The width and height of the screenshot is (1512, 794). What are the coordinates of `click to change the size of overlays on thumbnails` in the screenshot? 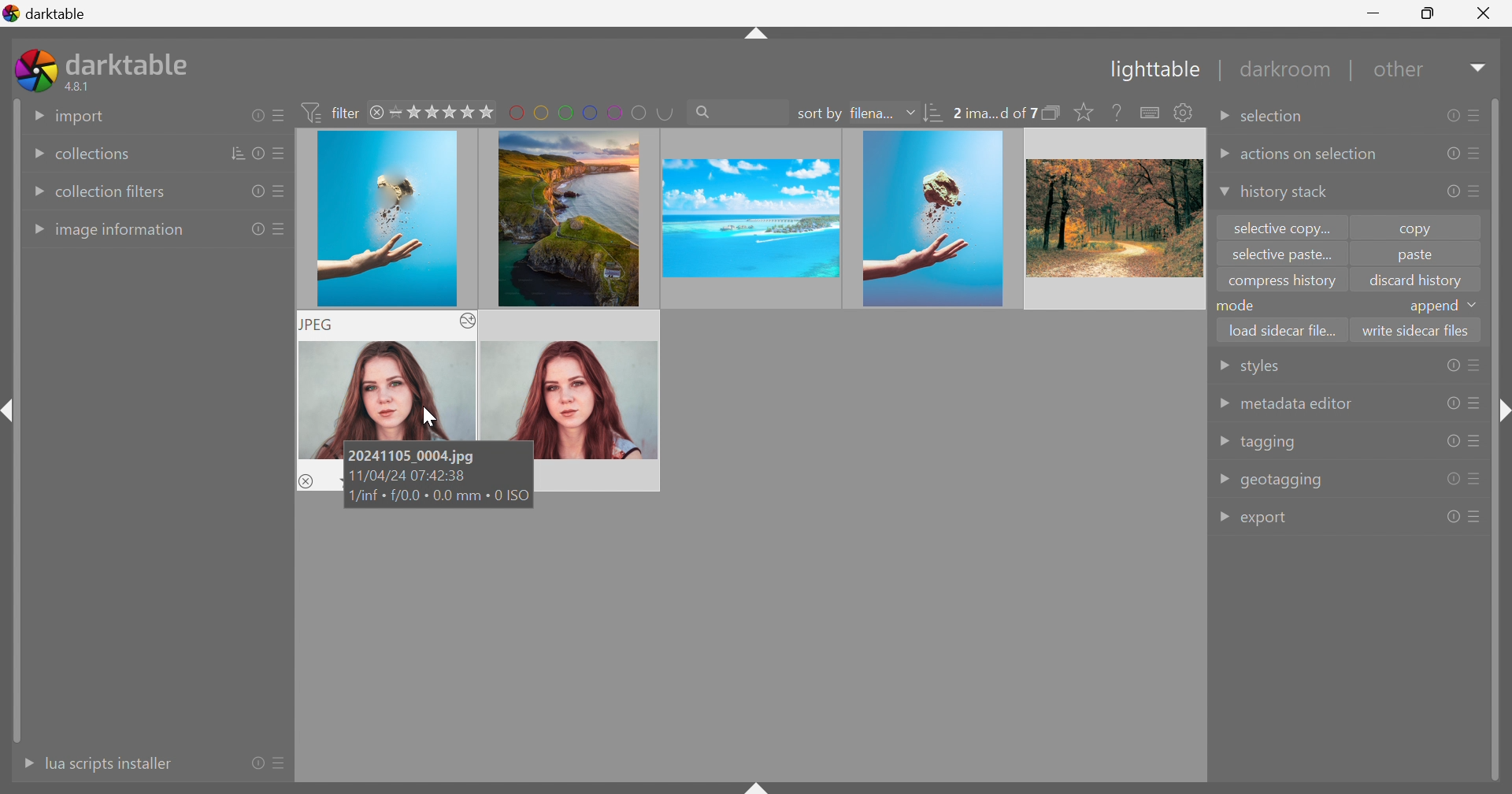 It's located at (1080, 113).